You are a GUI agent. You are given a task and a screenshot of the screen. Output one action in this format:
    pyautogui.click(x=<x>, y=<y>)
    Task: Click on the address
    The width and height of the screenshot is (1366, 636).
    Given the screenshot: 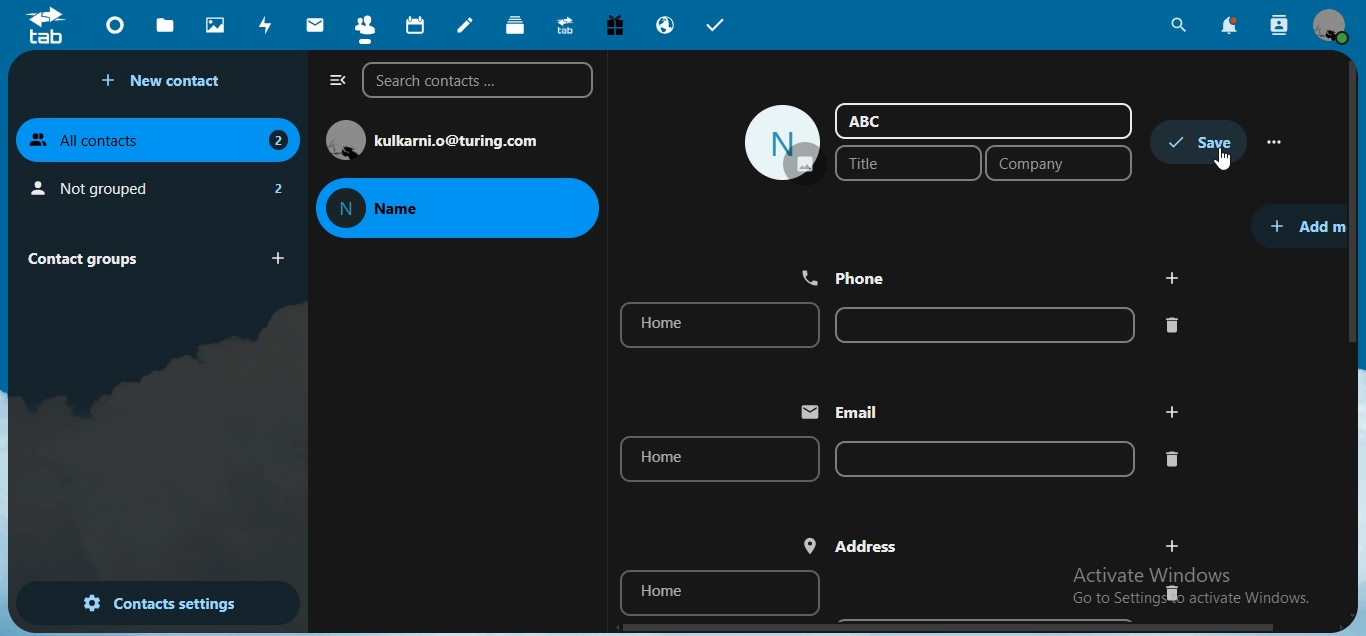 What is the action you would take?
    pyautogui.click(x=853, y=546)
    